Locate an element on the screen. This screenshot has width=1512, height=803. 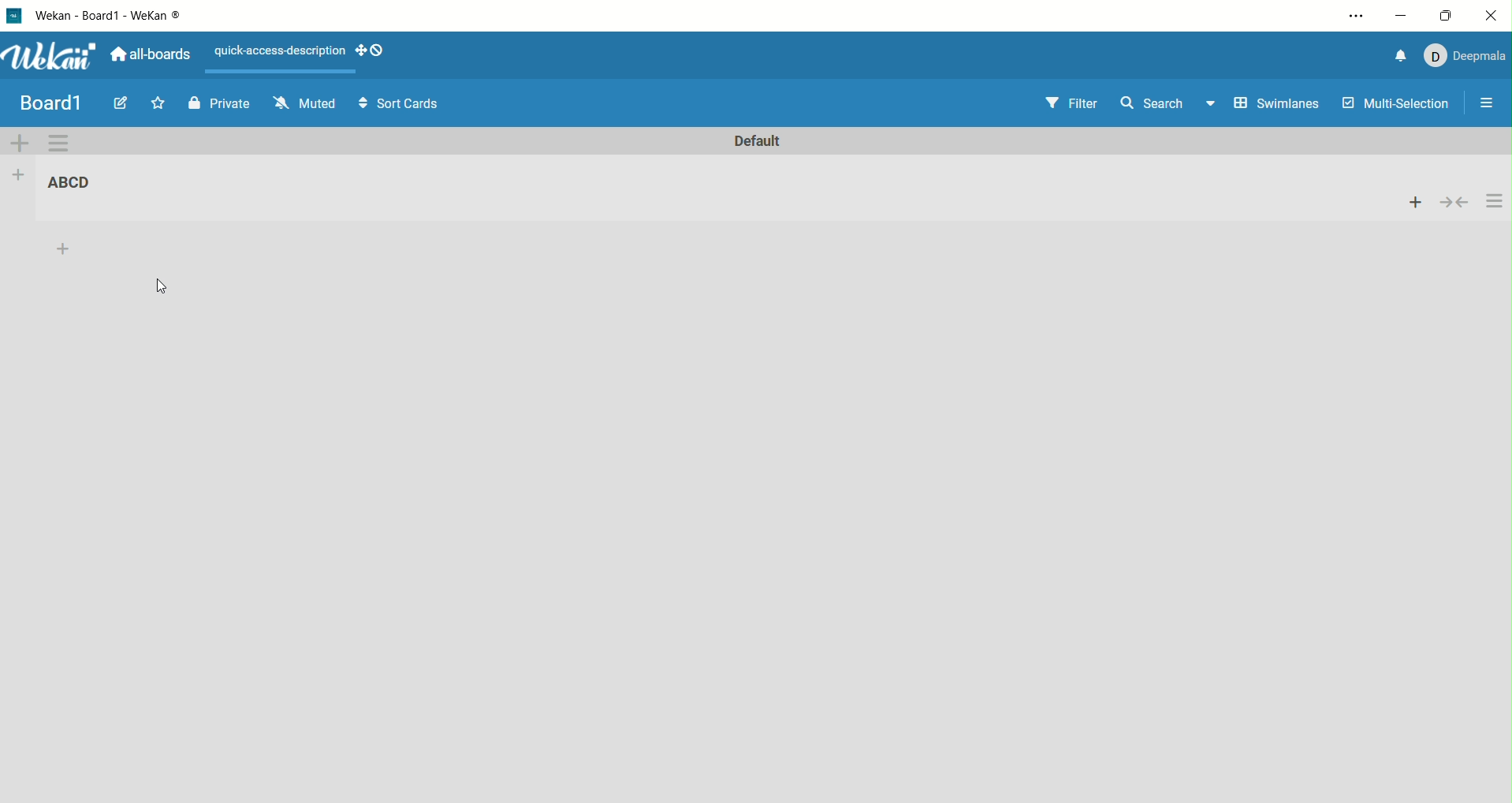
text is located at coordinates (274, 51).